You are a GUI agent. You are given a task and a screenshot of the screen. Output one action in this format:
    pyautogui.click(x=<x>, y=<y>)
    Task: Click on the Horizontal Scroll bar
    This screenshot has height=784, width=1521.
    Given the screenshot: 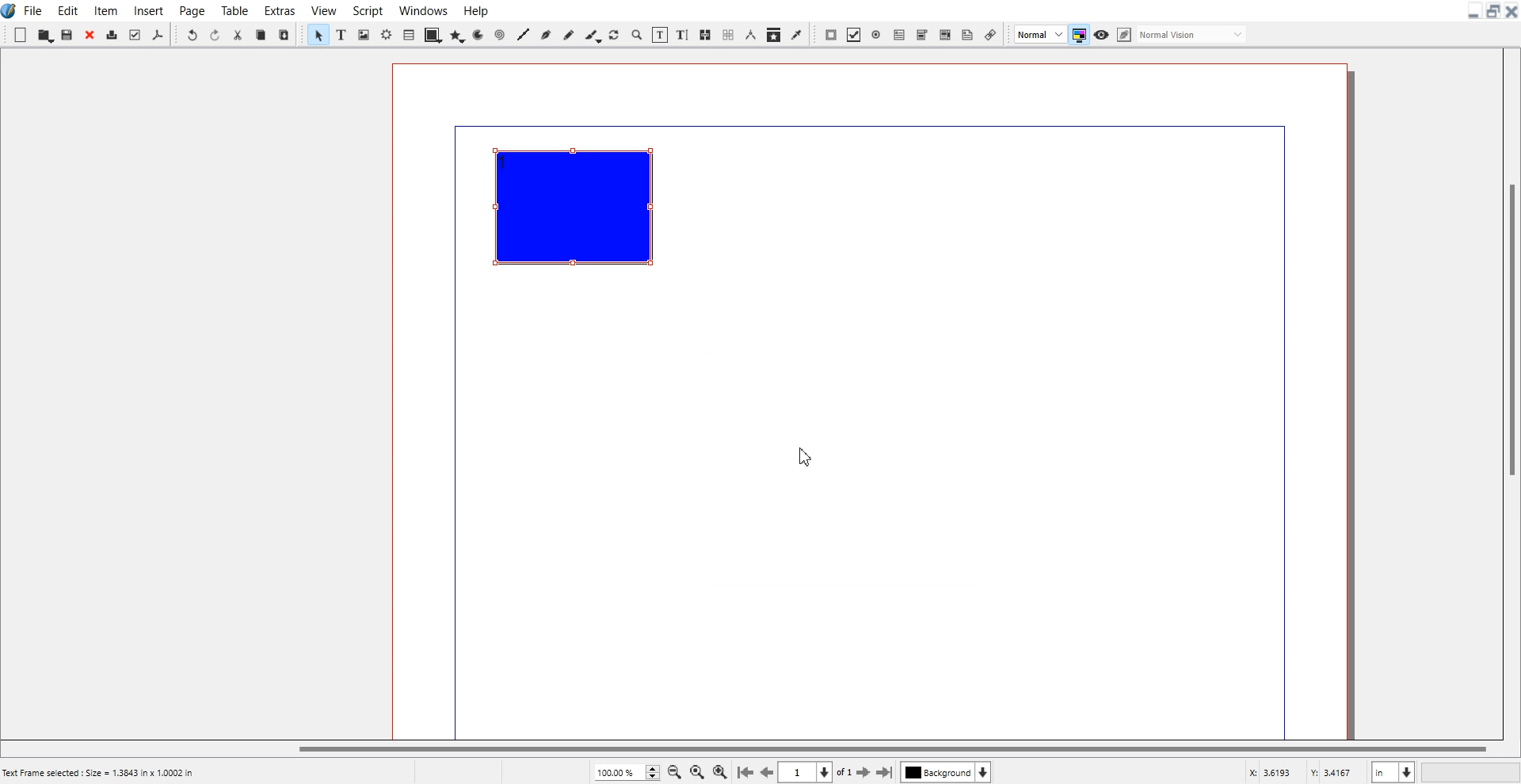 What is the action you would take?
    pyautogui.click(x=748, y=750)
    